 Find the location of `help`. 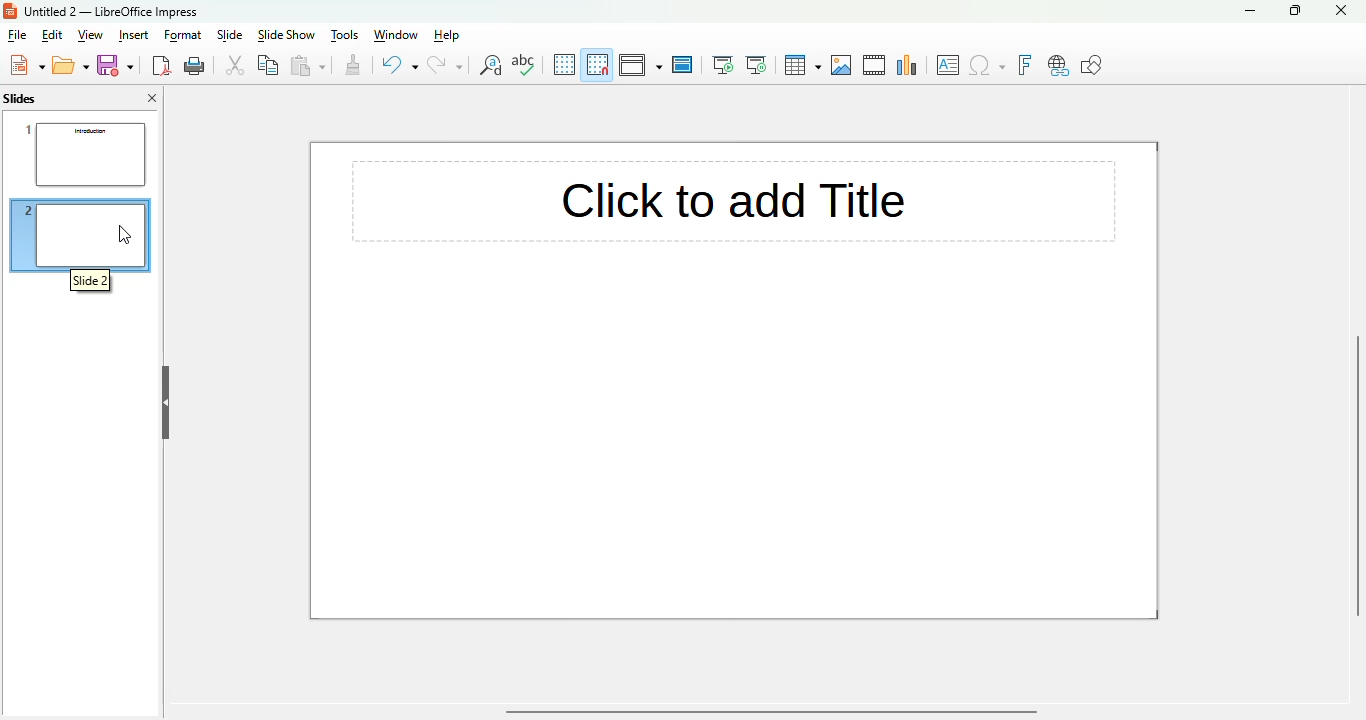

help is located at coordinates (448, 35).